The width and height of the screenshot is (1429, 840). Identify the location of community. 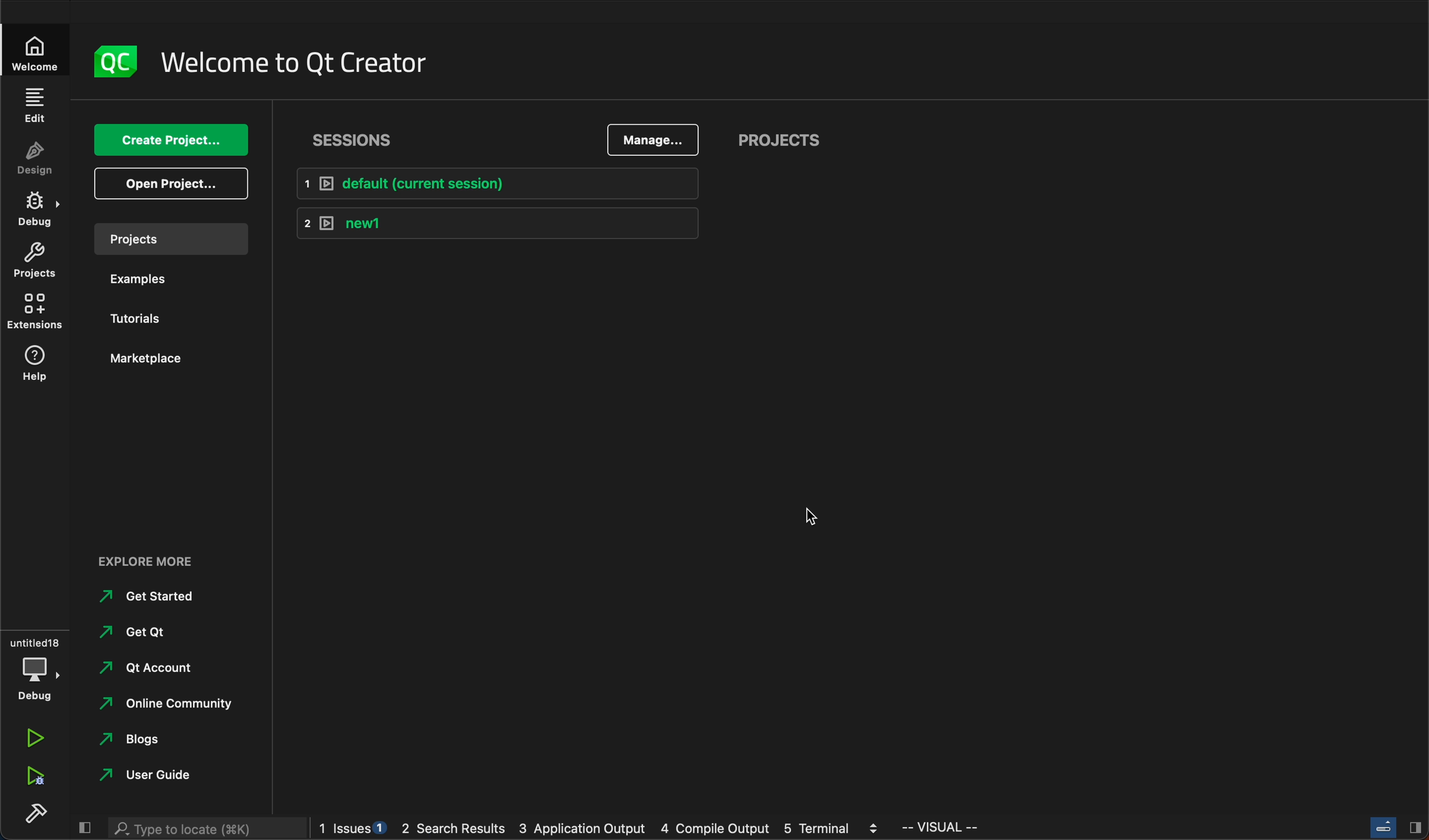
(173, 703).